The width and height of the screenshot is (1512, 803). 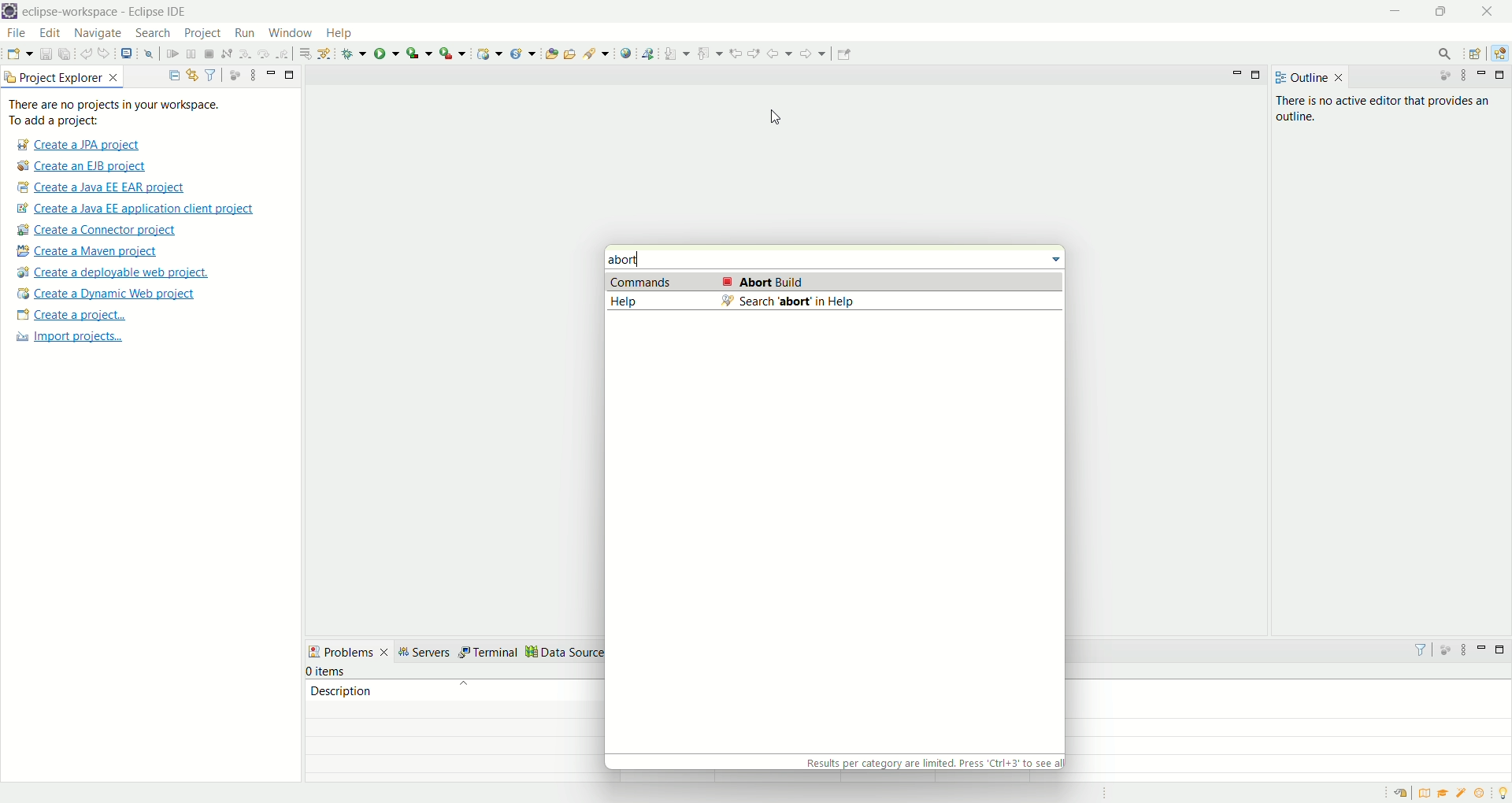 What do you see at coordinates (625, 52) in the screenshot?
I see `open web browser` at bounding box center [625, 52].